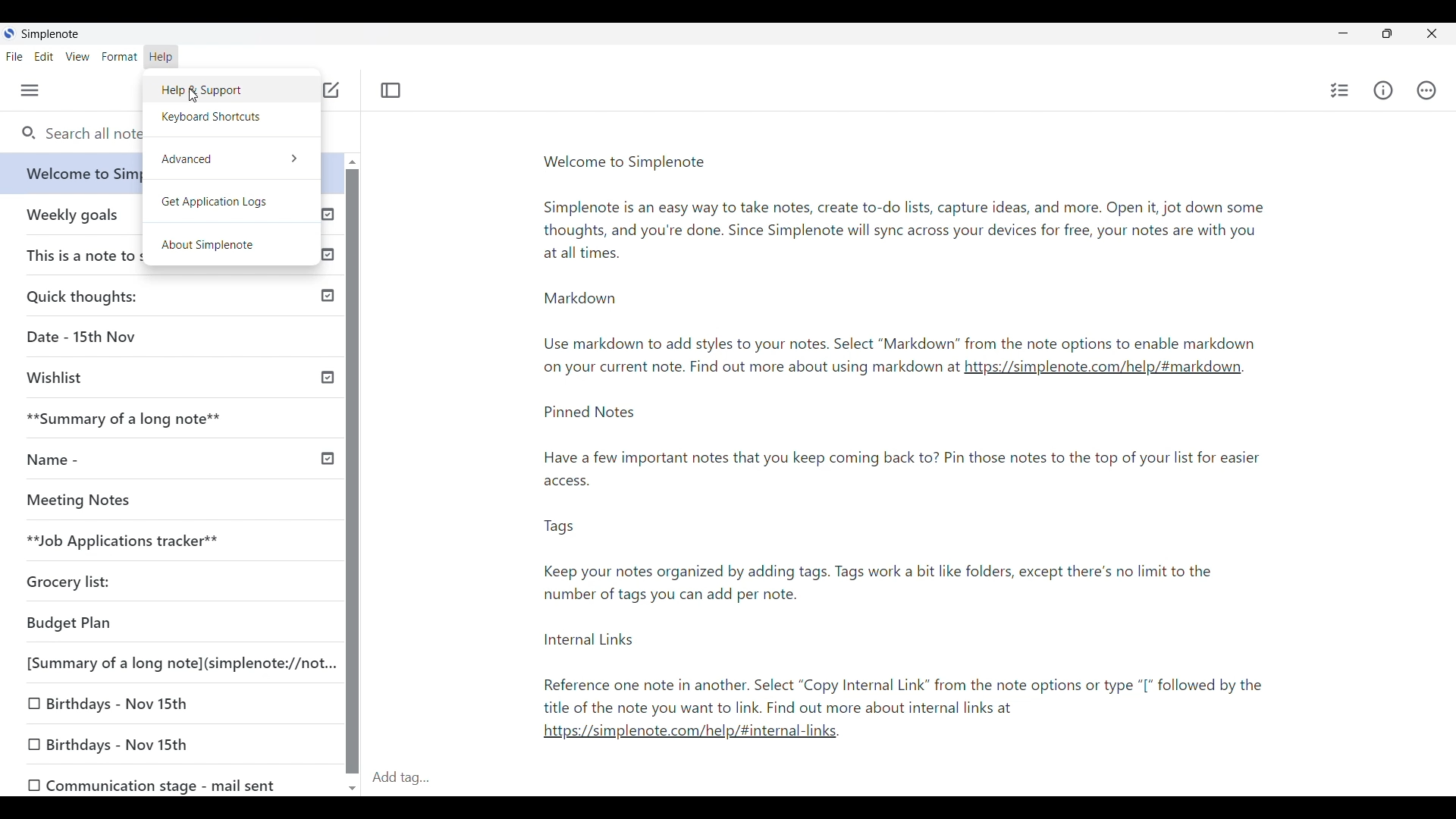 The image size is (1456, 819). What do you see at coordinates (230, 243) in the screenshot?
I see `About Simplenote` at bounding box center [230, 243].